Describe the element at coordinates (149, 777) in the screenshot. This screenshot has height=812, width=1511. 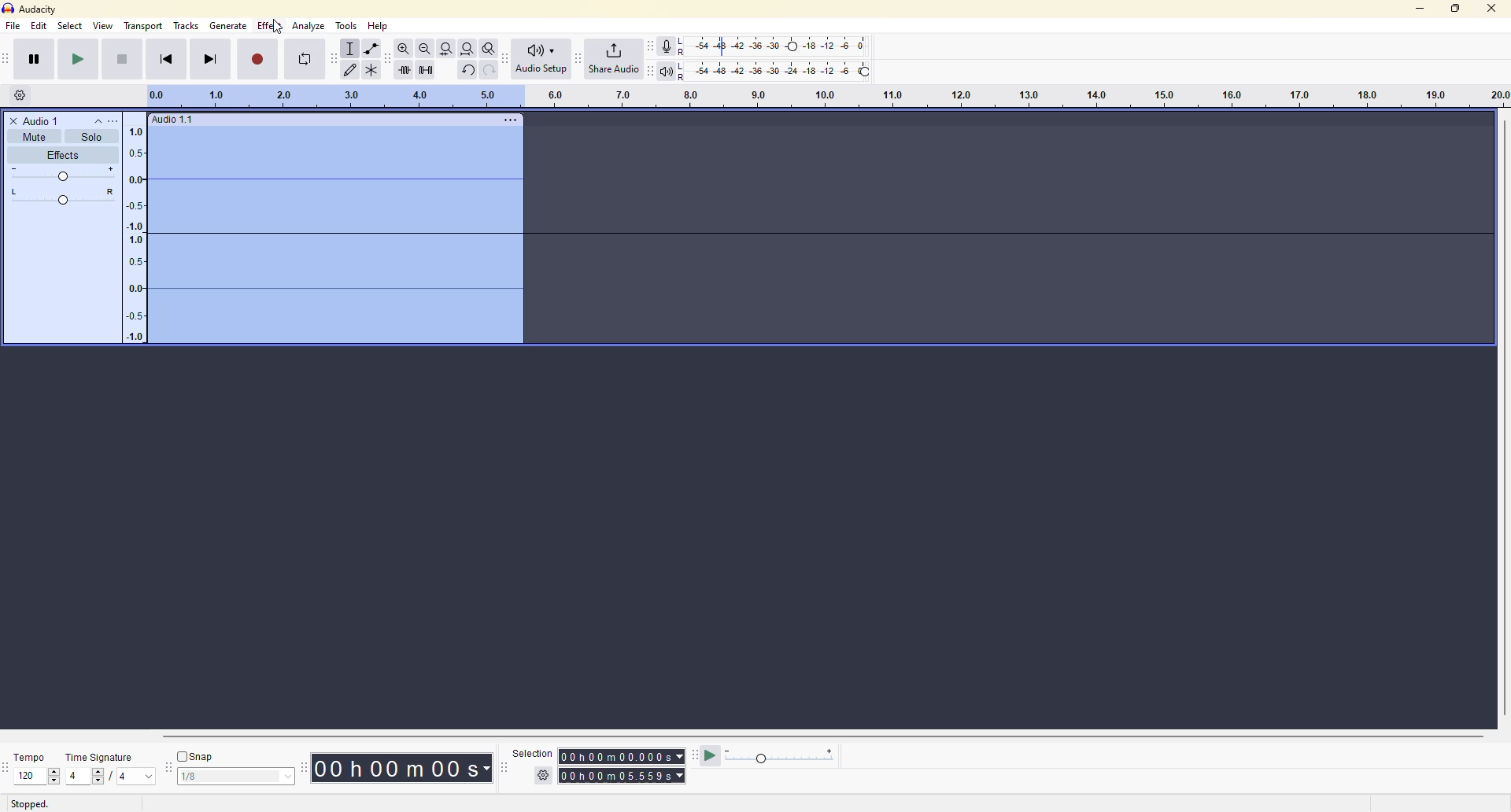
I see `drop down` at that location.